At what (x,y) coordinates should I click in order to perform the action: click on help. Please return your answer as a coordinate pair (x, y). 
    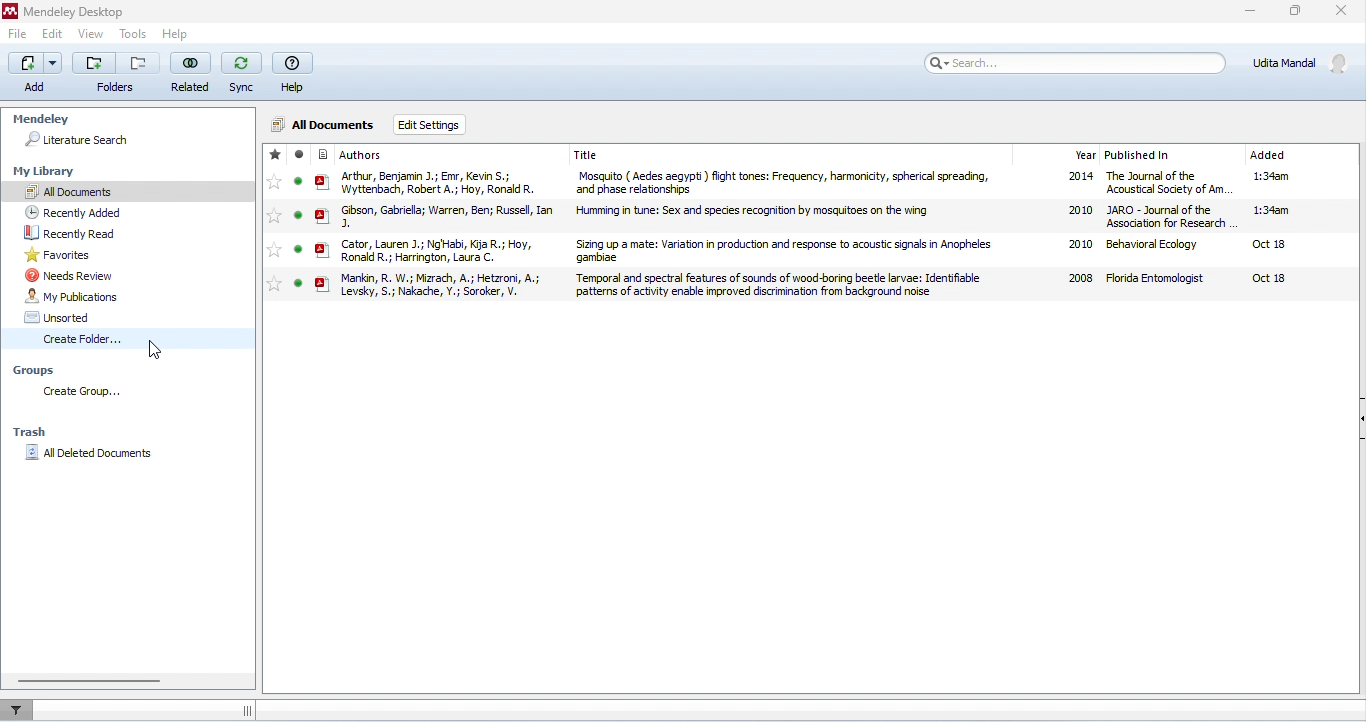
    Looking at the image, I should click on (293, 72).